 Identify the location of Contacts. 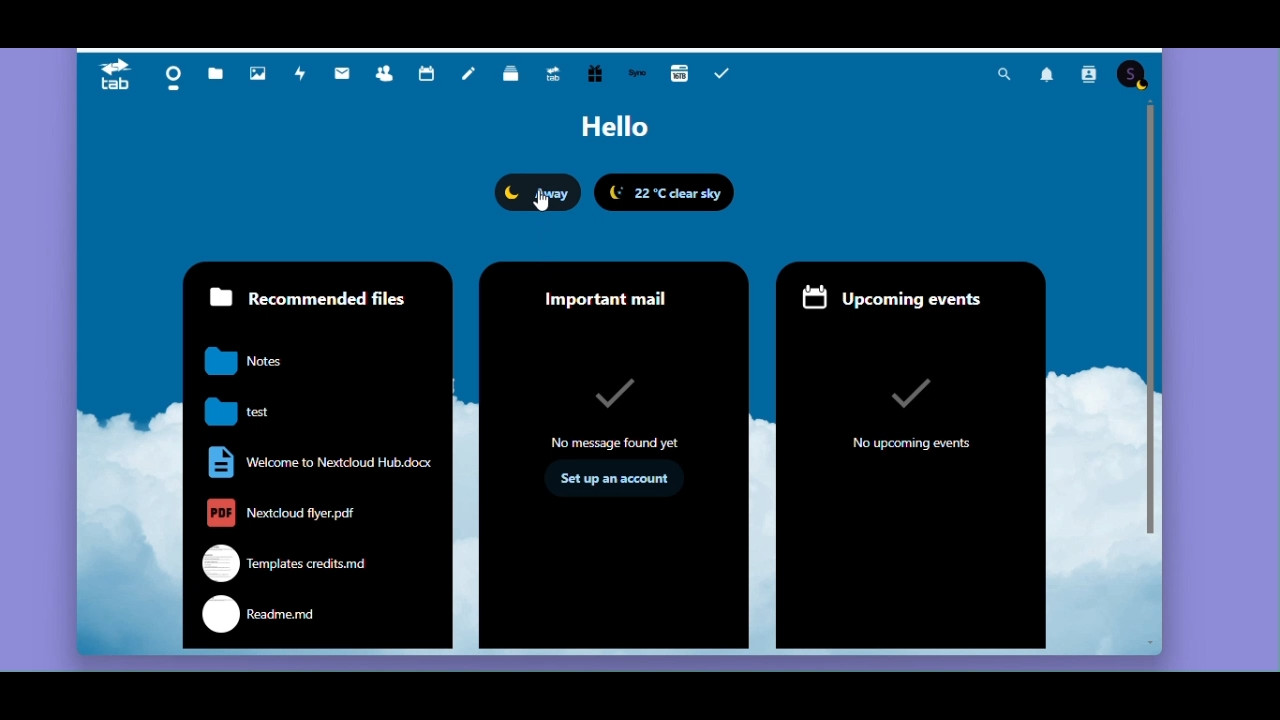
(384, 71).